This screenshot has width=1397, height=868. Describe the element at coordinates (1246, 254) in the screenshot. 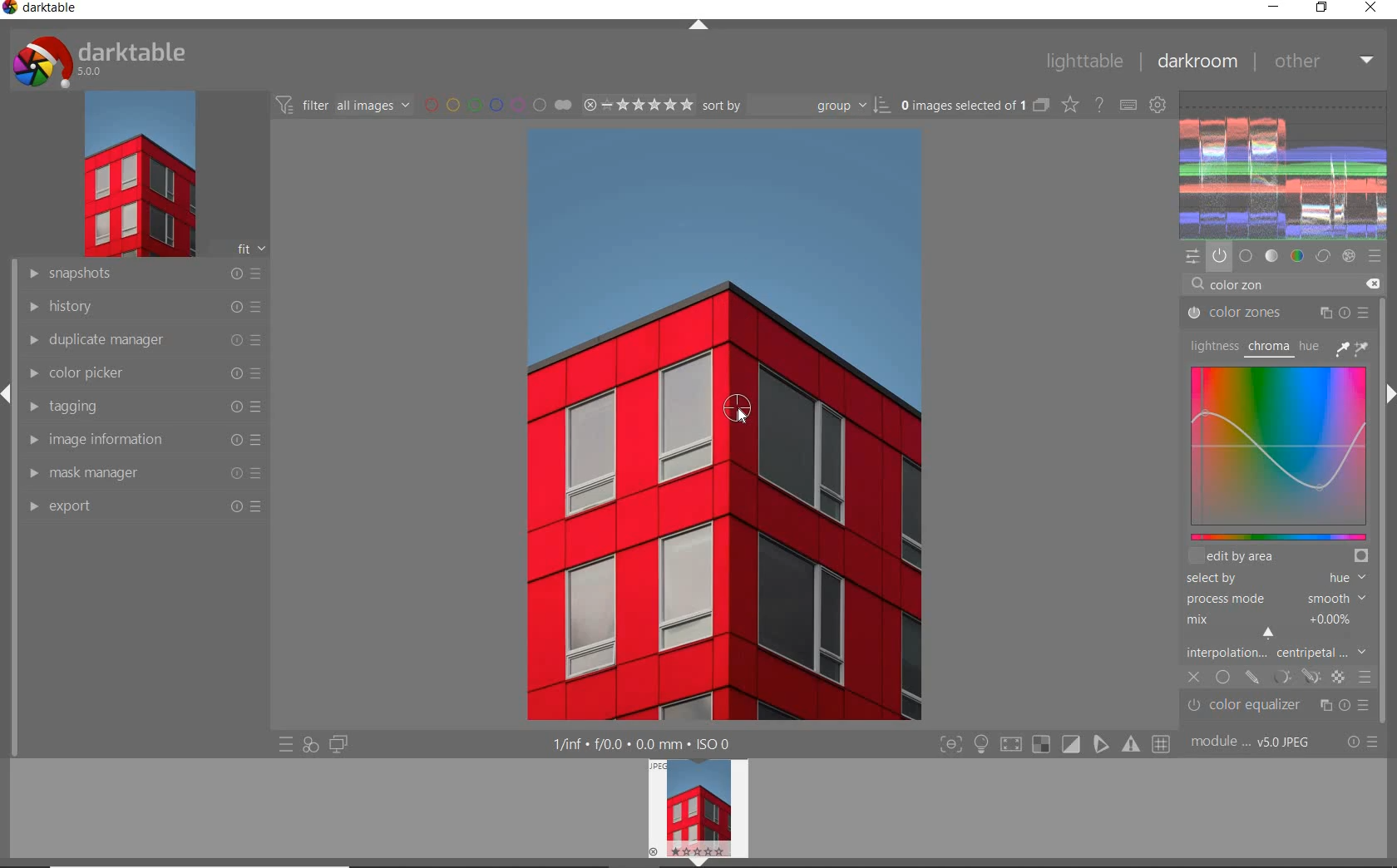

I see `base` at that location.